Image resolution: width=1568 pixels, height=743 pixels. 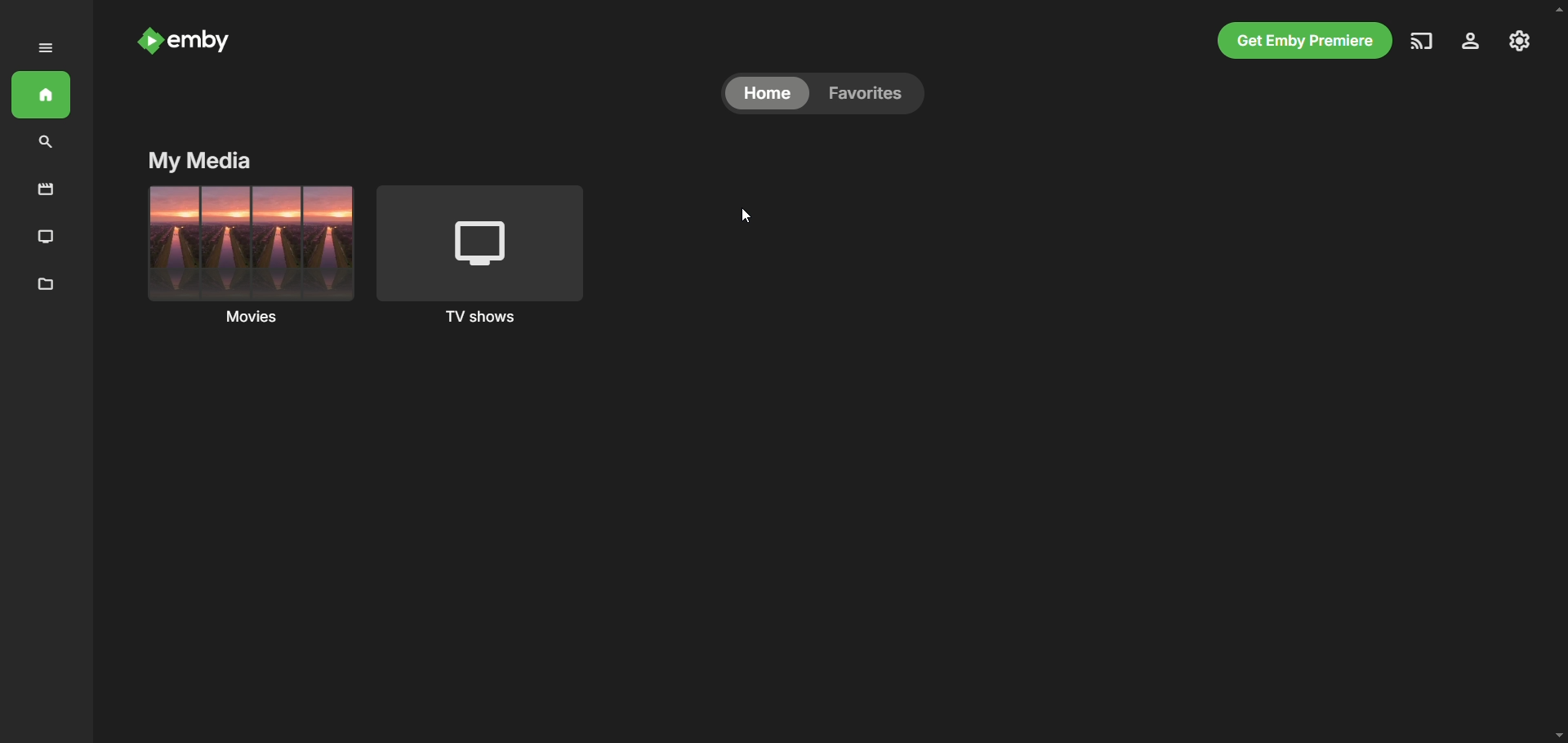 What do you see at coordinates (42, 285) in the screenshot?
I see `folder` at bounding box center [42, 285].